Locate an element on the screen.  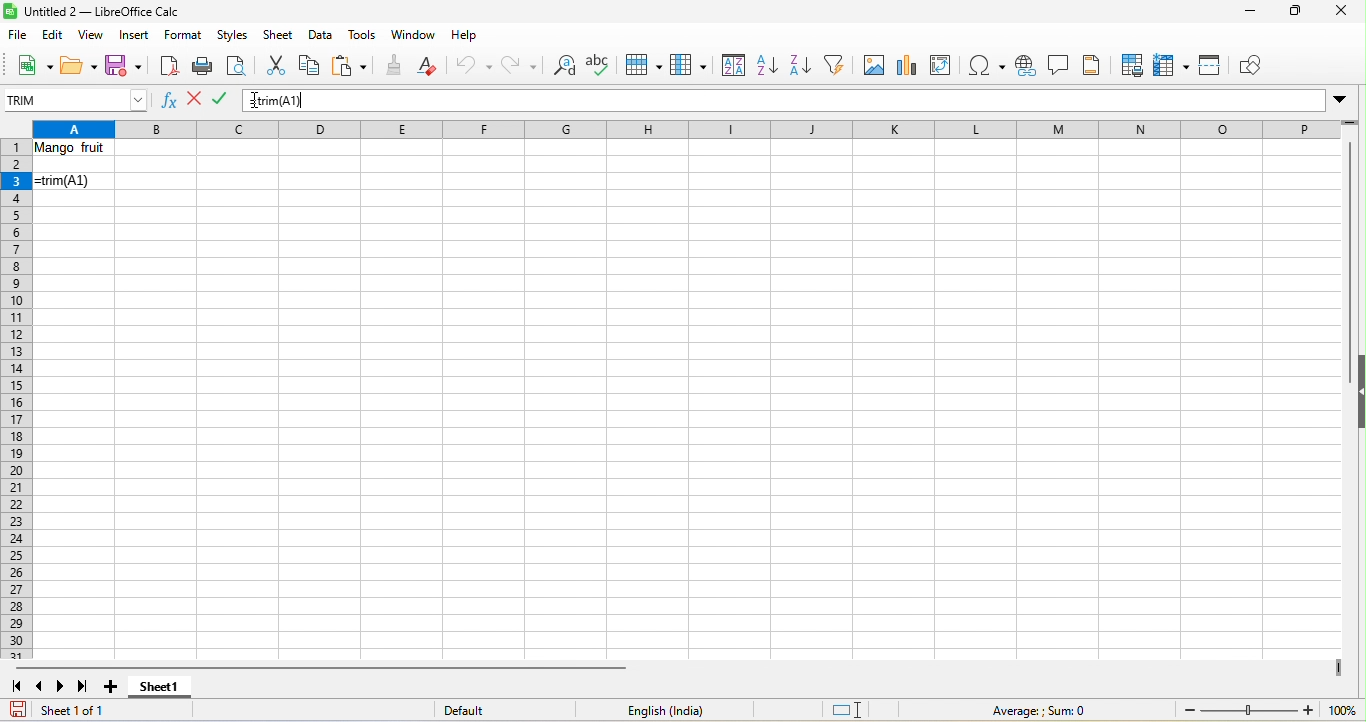
spelling is located at coordinates (602, 64).